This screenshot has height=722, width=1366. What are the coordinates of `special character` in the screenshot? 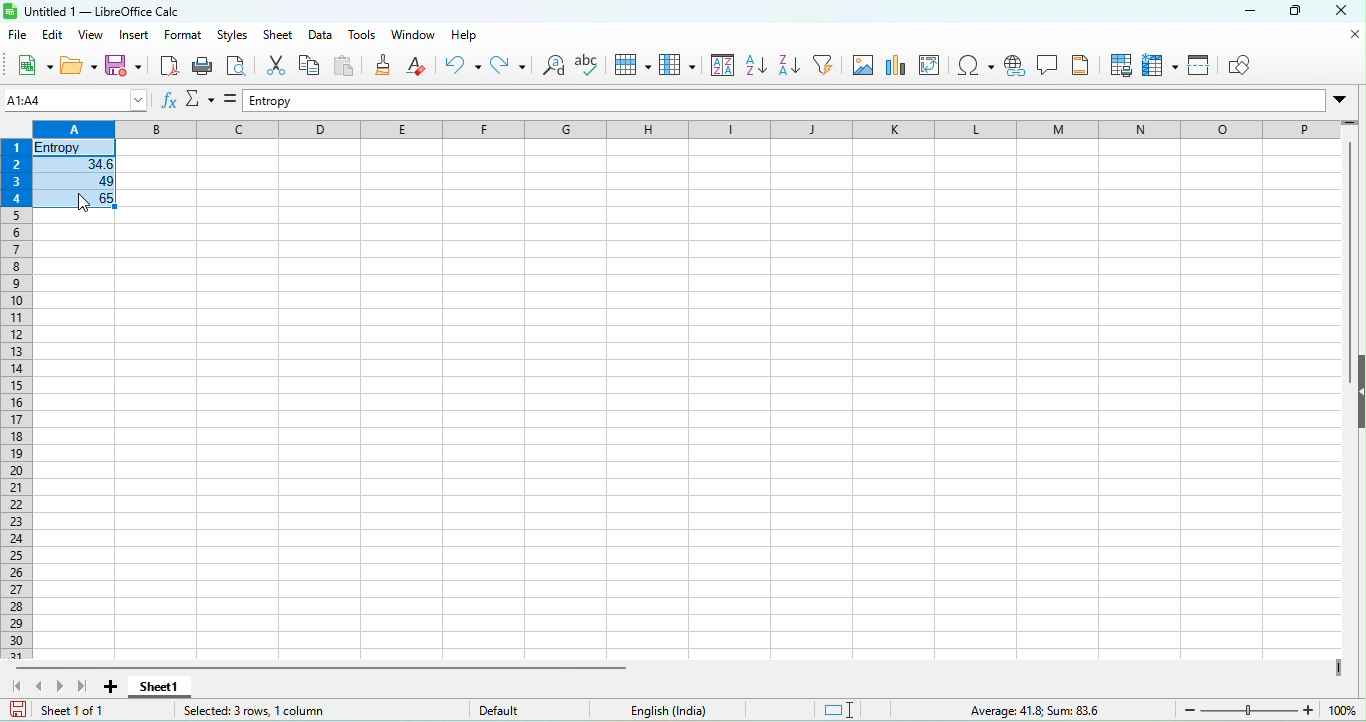 It's located at (977, 67).